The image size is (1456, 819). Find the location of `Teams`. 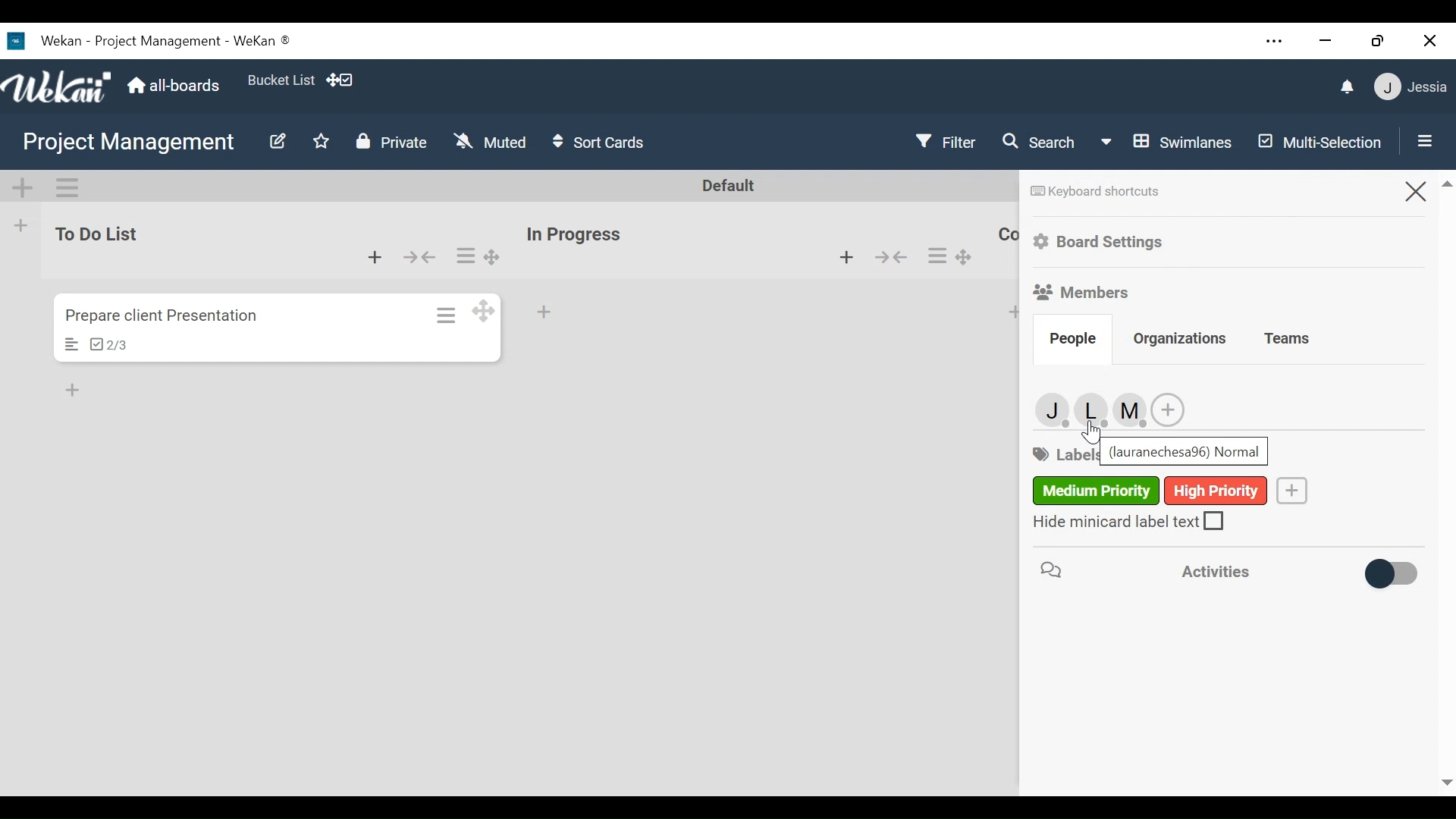

Teams is located at coordinates (1287, 340).